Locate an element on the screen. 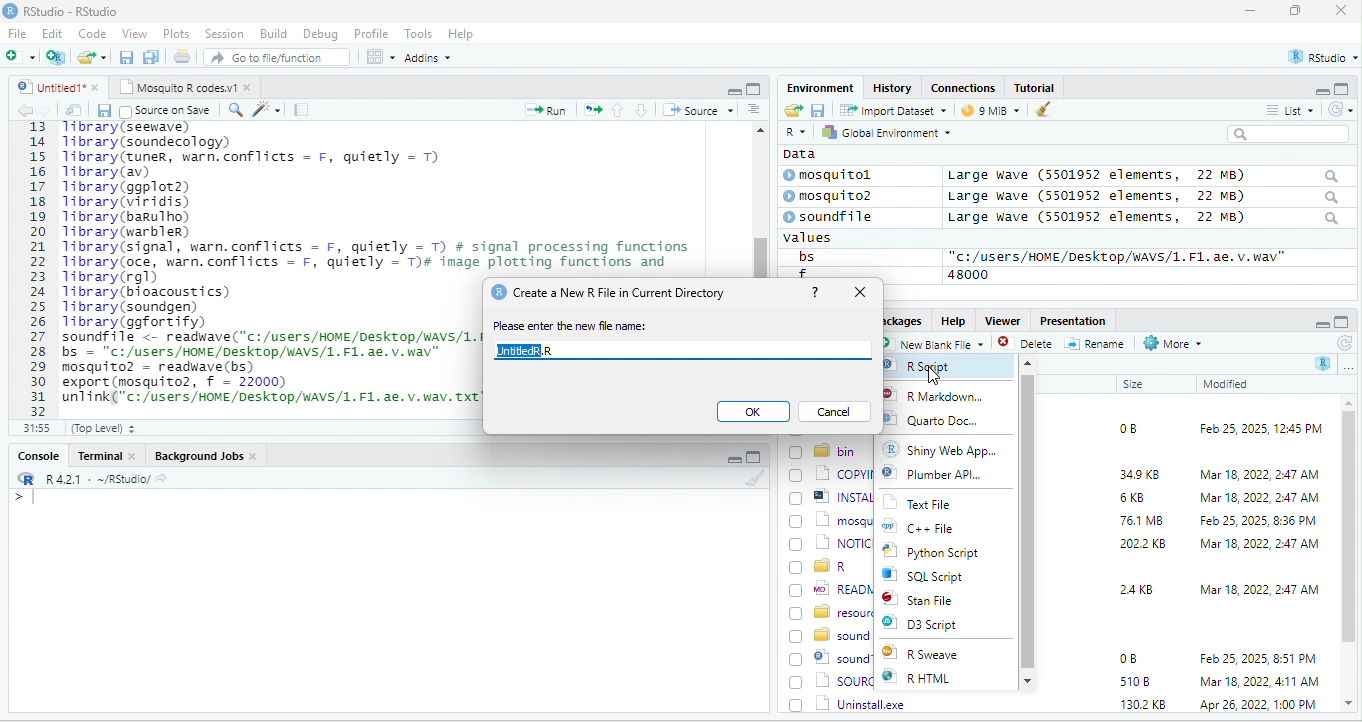 This screenshot has height=722, width=1362. Help is located at coordinates (953, 319).